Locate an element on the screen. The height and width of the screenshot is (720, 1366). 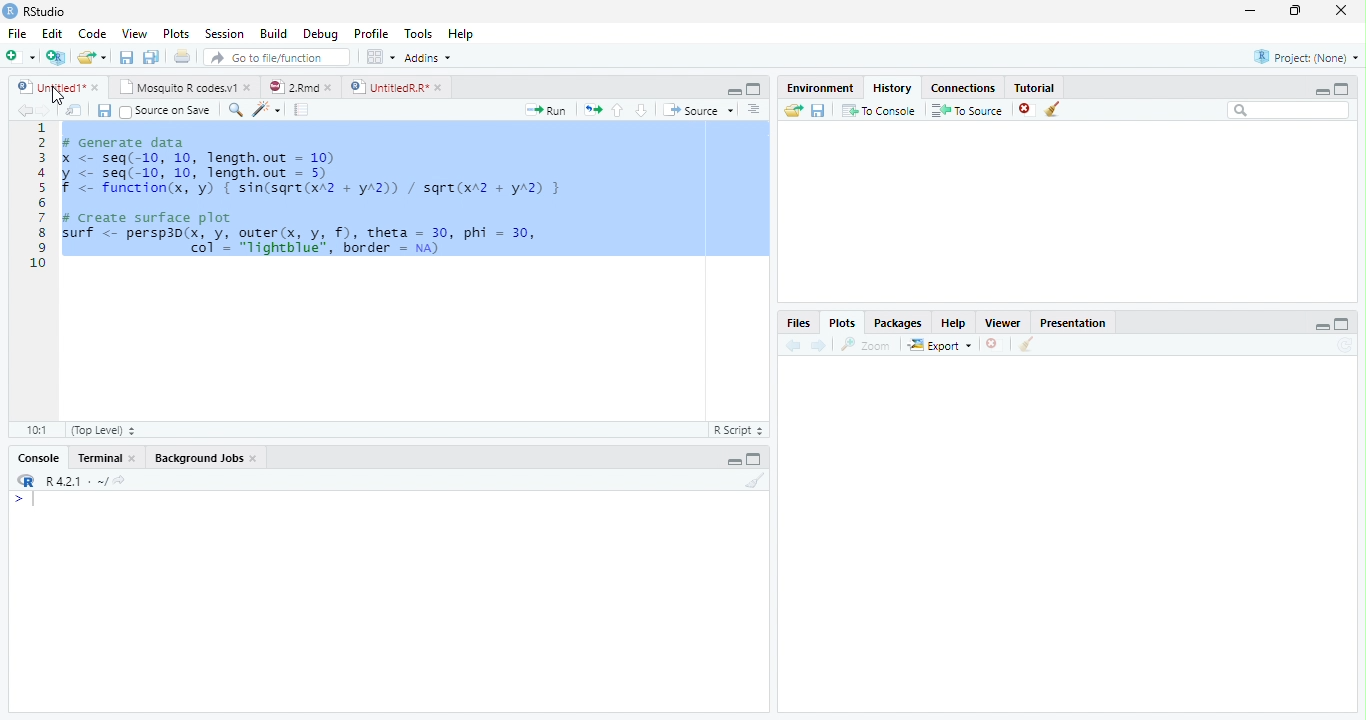
Source on Save is located at coordinates (167, 110).